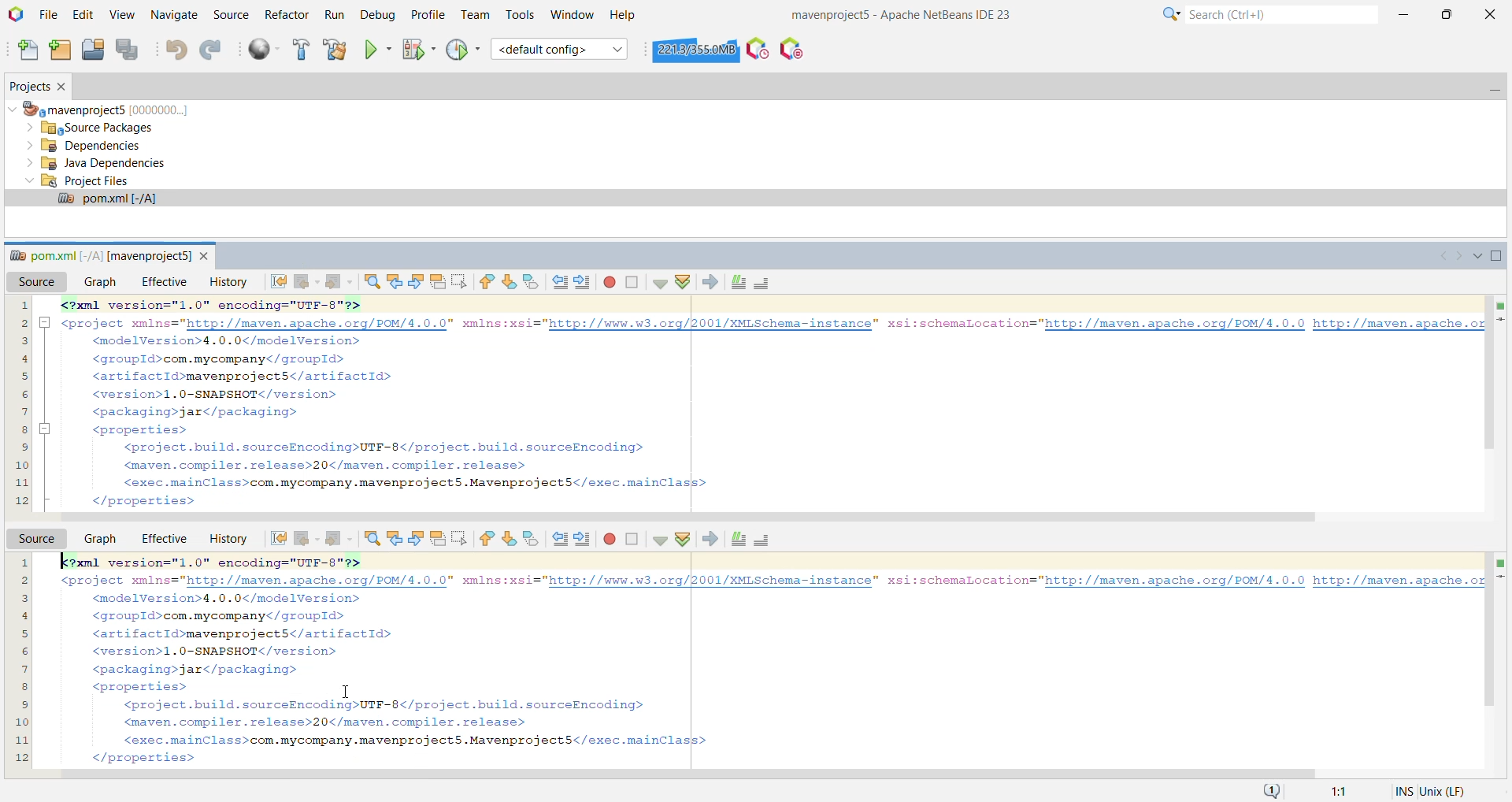  I want to click on Save All, so click(130, 50).